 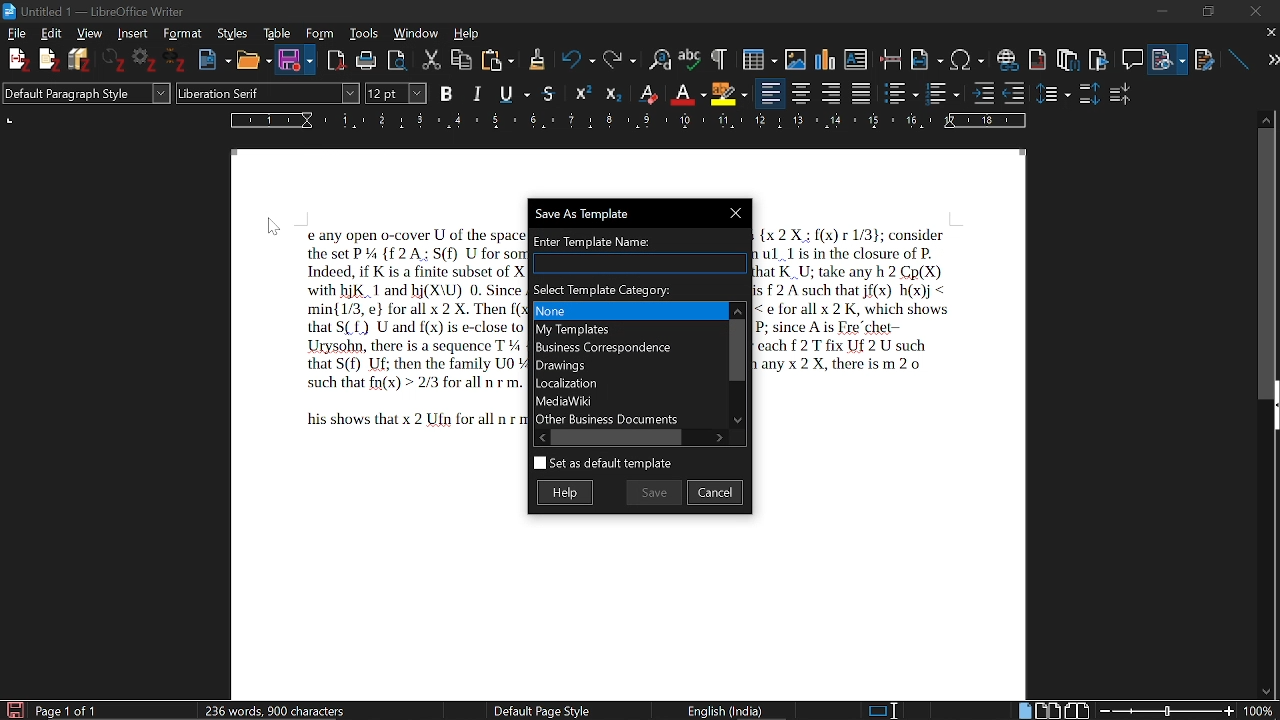 I want to click on Cut, so click(x=433, y=58).